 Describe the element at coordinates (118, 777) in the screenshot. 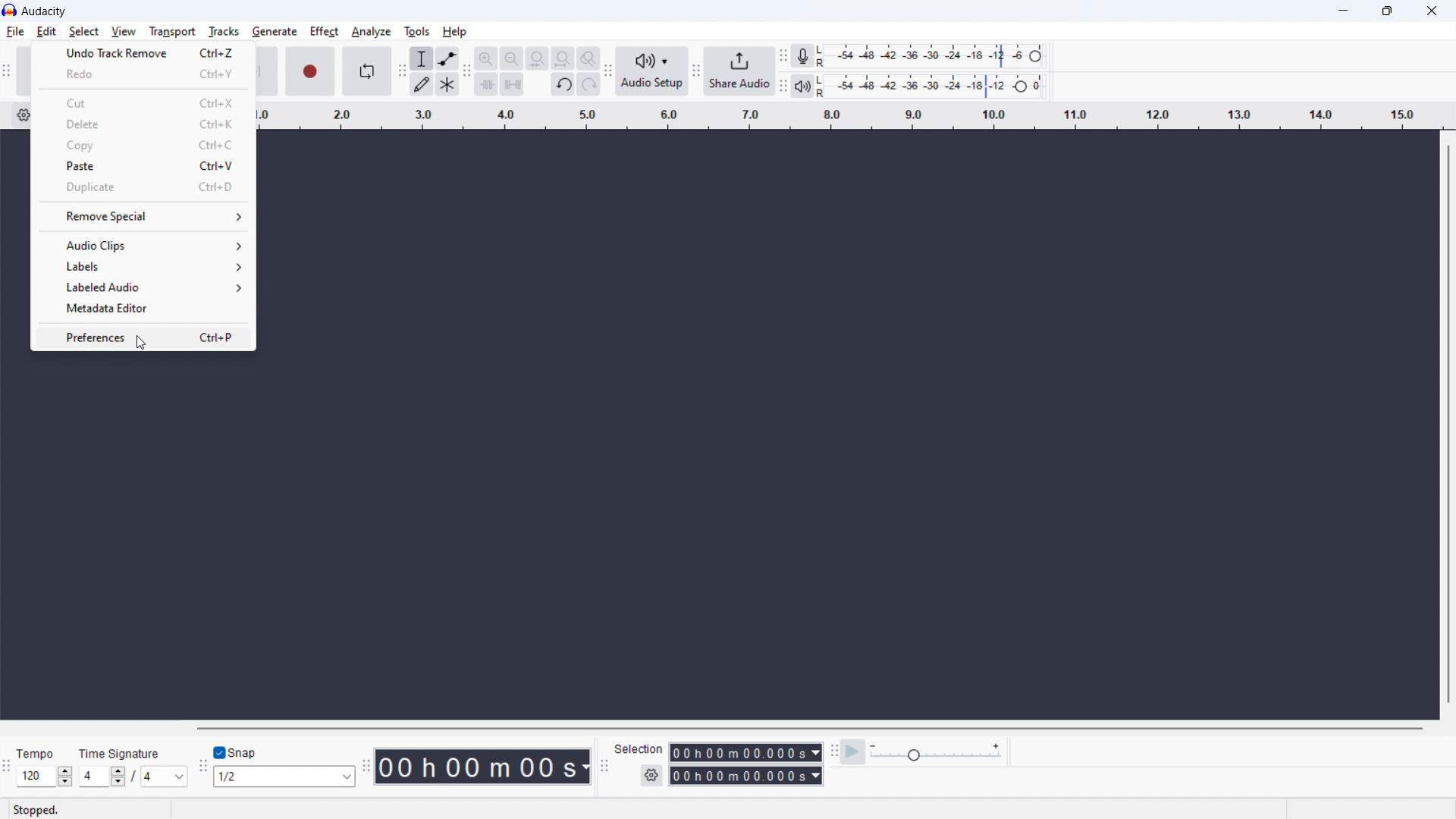

I see `Increase/Decrease time signature` at that location.